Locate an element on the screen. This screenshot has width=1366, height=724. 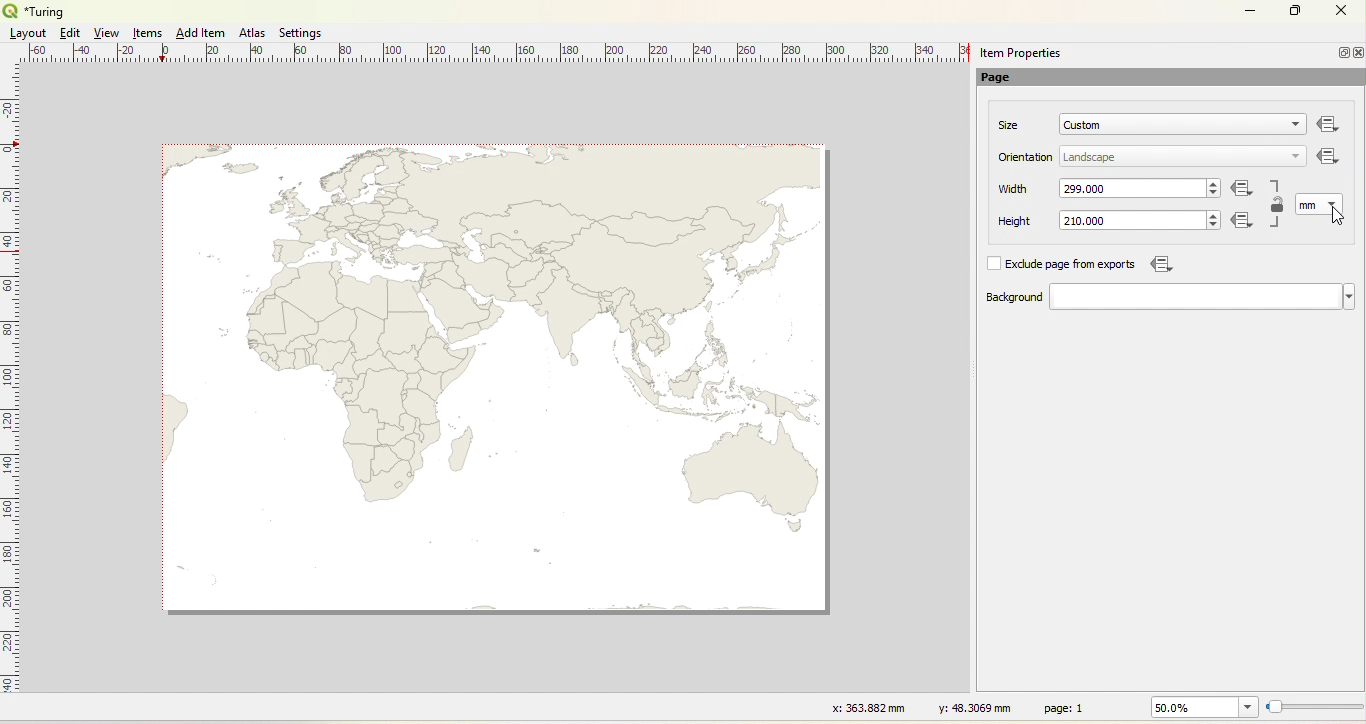
item properties is located at coordinates (1020, 53).